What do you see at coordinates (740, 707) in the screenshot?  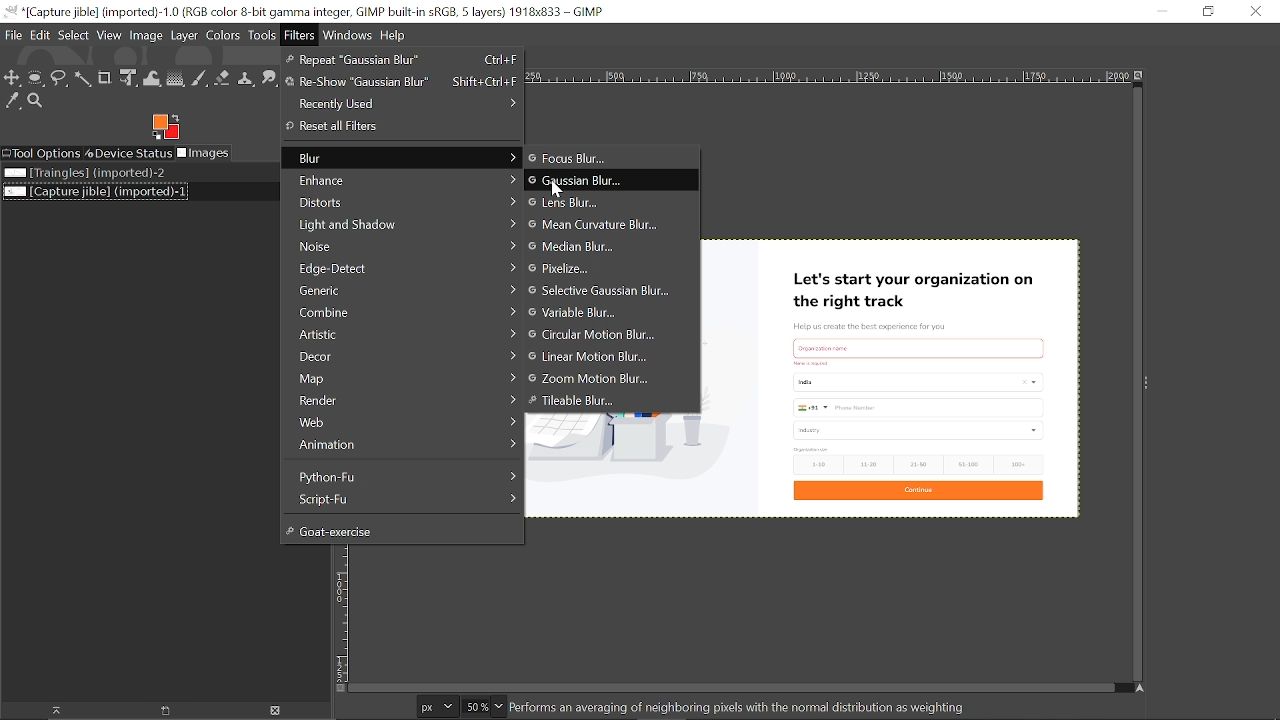 I see `Current image info` at bounding box center [740, 707].